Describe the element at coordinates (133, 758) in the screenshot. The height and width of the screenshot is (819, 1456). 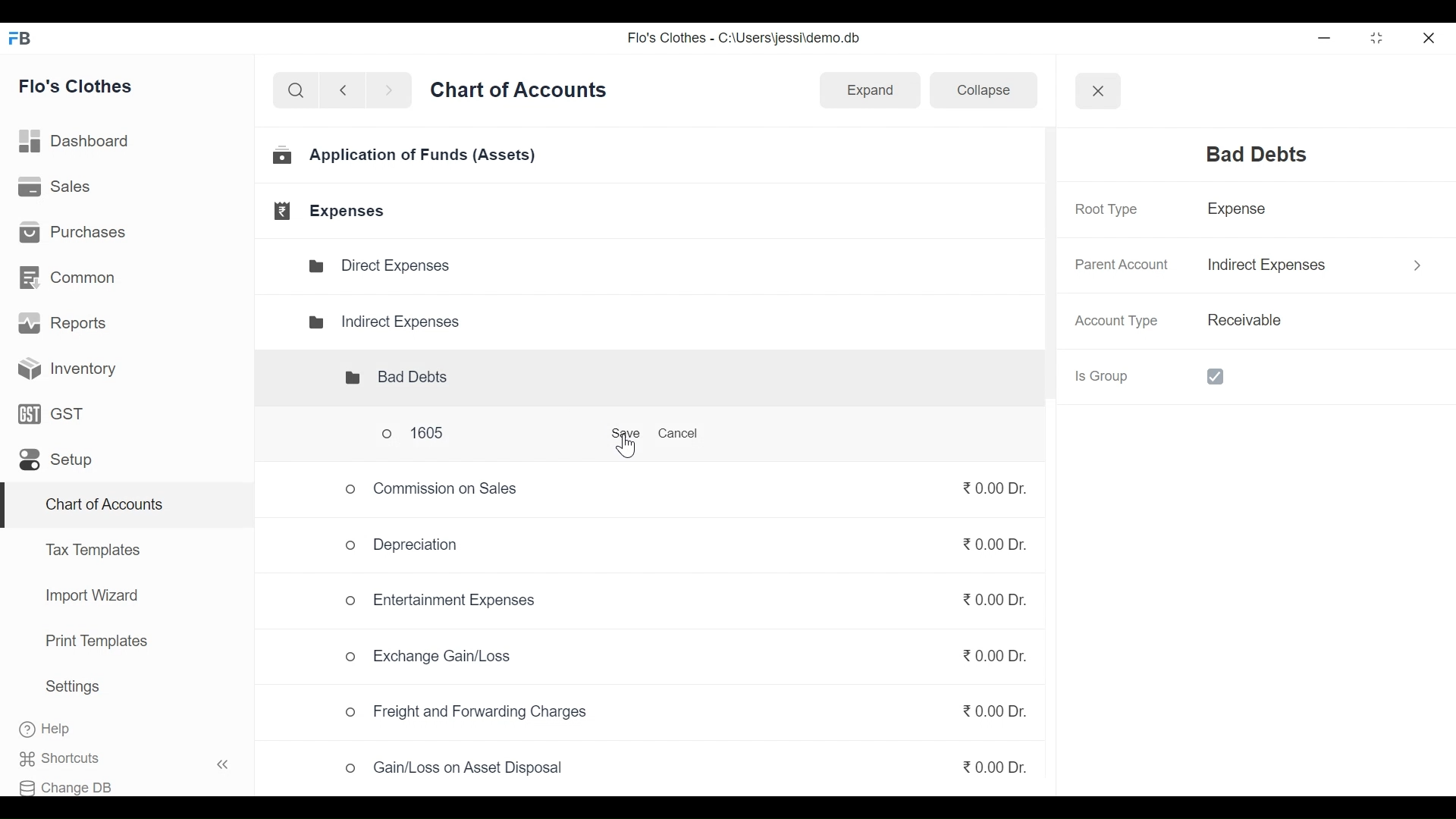
I see `Shortcuts` at that location.